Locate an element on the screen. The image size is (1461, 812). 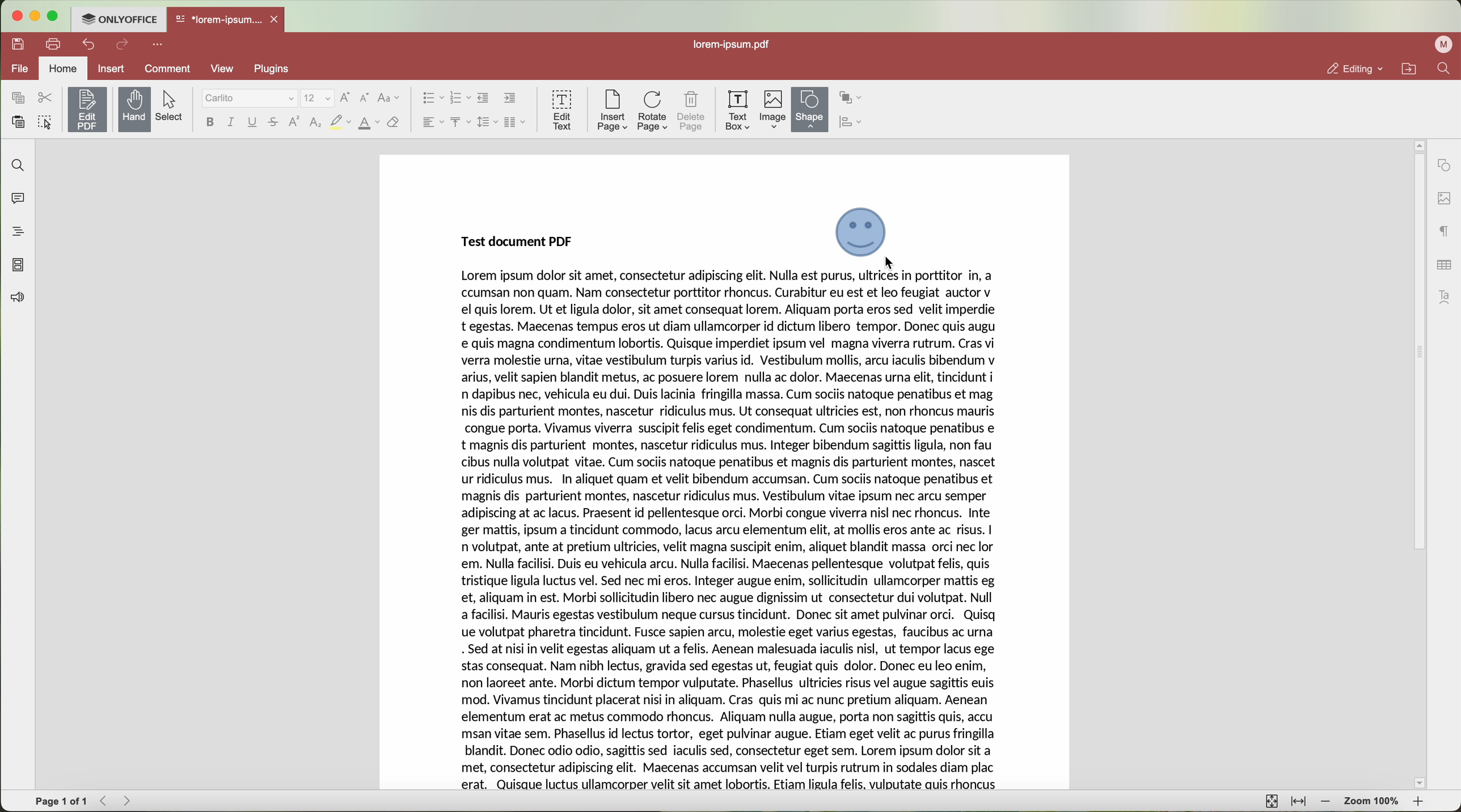
page thumbnails is located at coordinates (18, 266).